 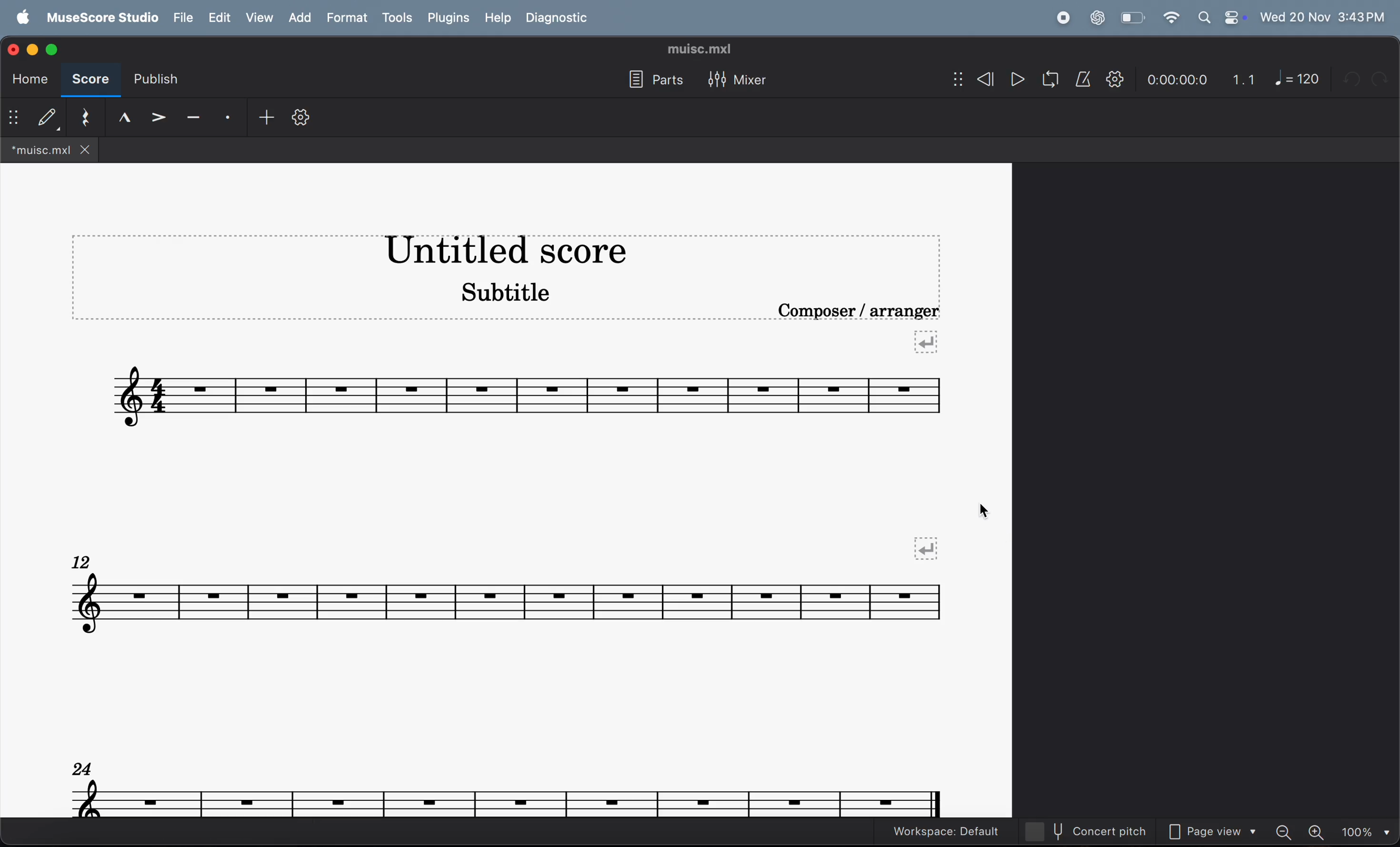 What do you see at coordinates (1322, 16) in the screenshot?
I see `time and date` at bounding box center [1322, 16].